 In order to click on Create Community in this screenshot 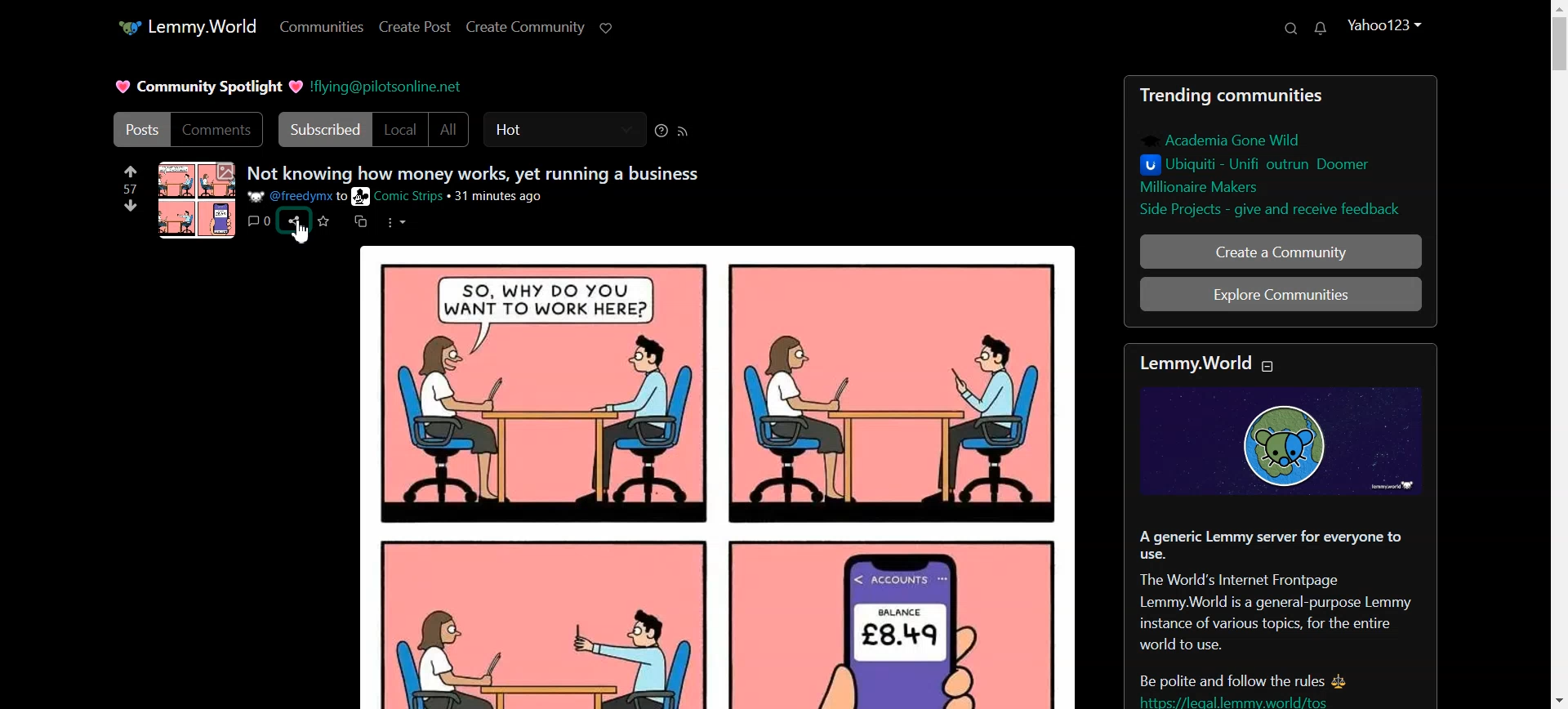, I will do `click(524, 27)`.